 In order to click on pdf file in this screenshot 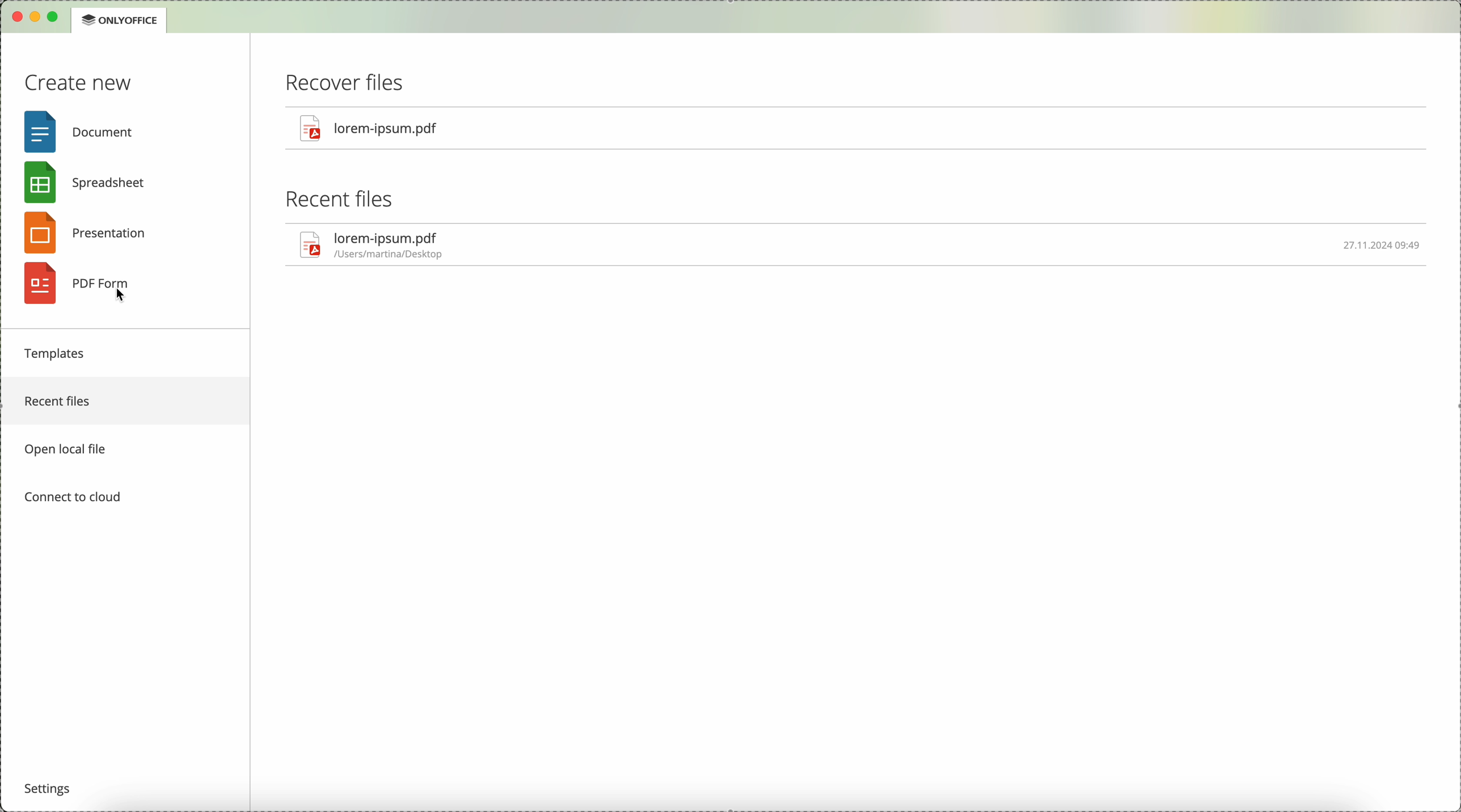, I will do `click(370, 127)`.